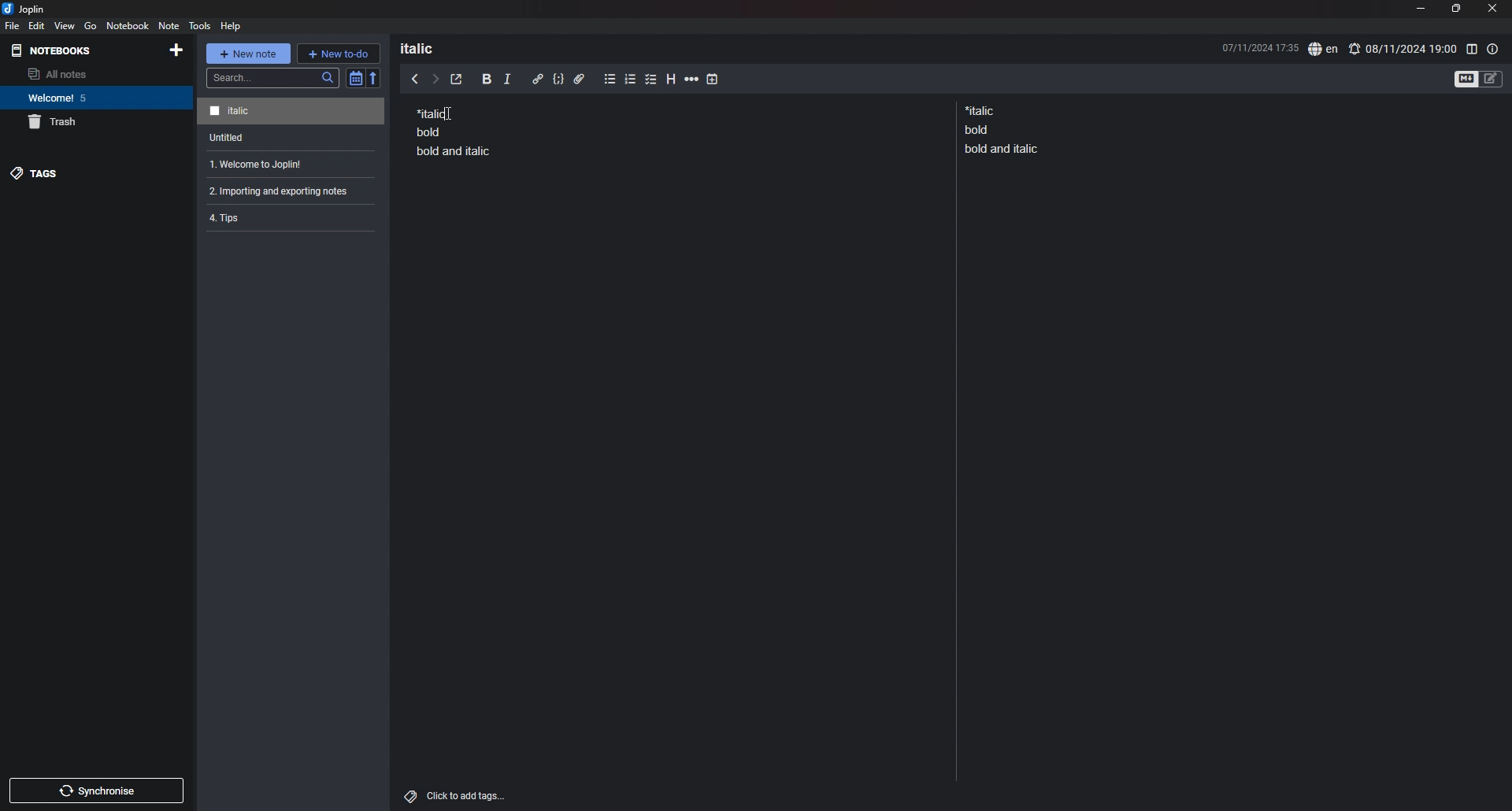 This screenshot has width=1512, height=811. Describe the element at coordinates (713, 79) in the screenshot. I see `add time` at that location.